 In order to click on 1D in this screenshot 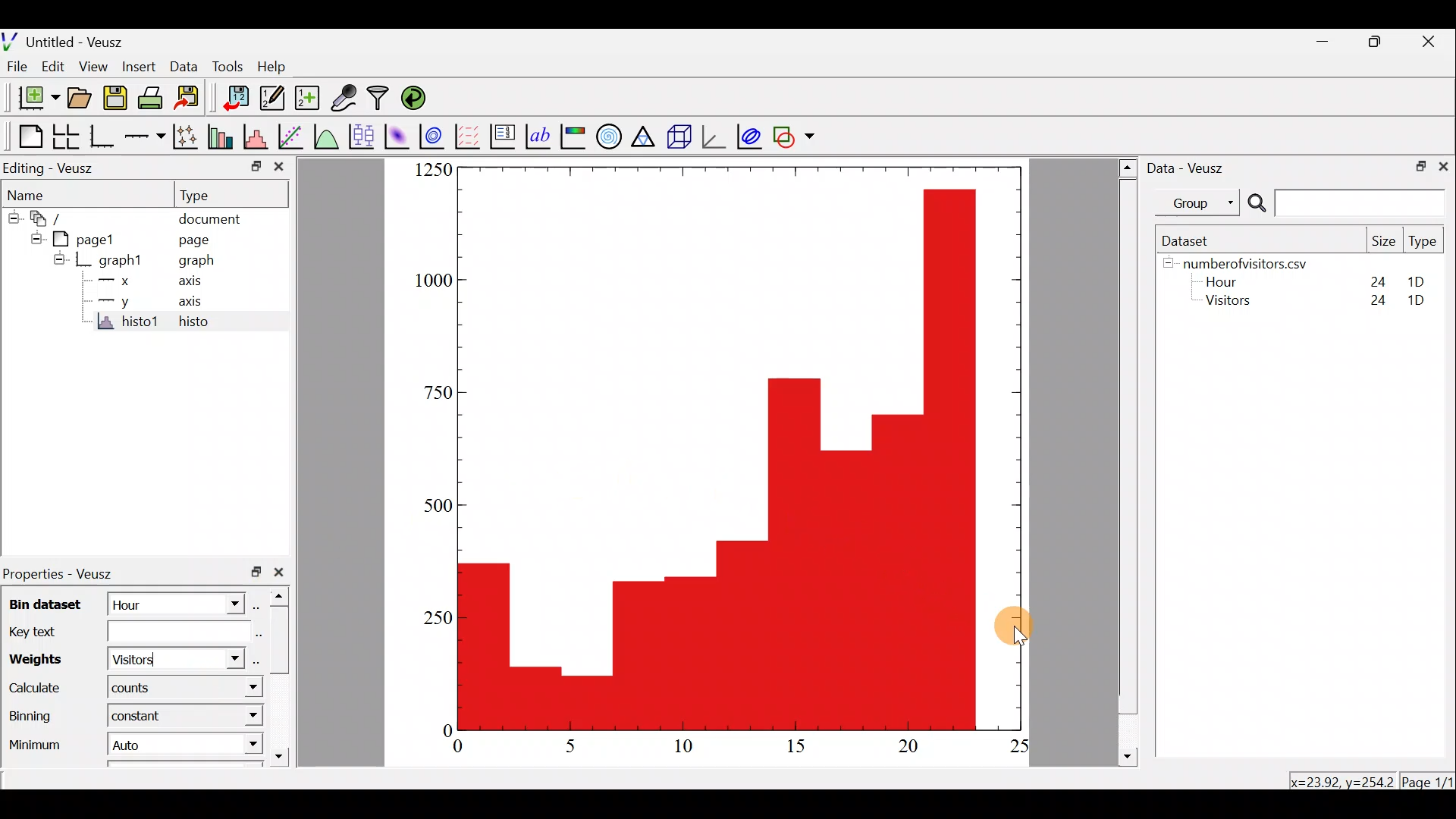, I will do `click(1410, 278)`.